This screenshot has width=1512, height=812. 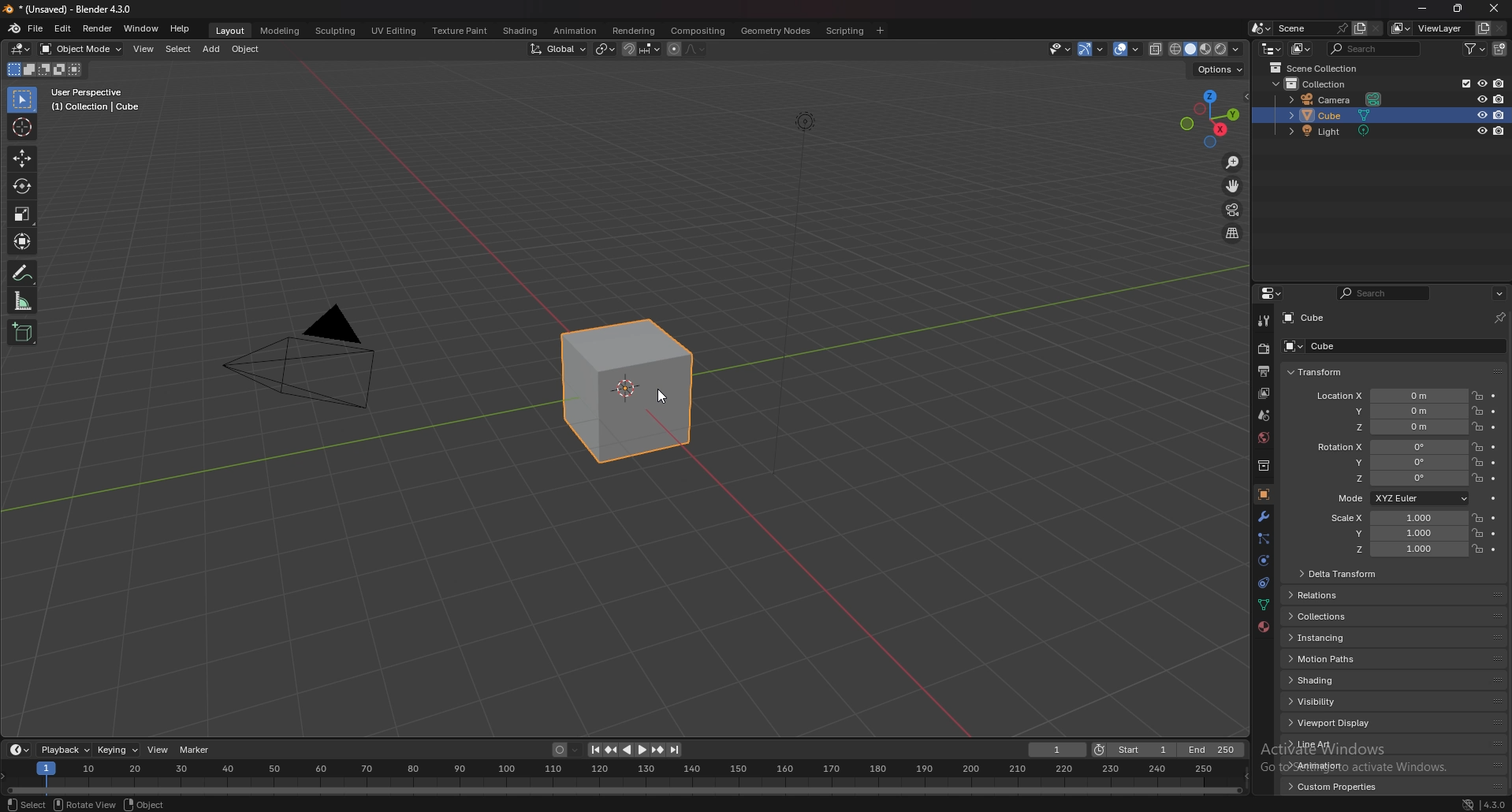 I want to click on object, so click(x=146, y=803).